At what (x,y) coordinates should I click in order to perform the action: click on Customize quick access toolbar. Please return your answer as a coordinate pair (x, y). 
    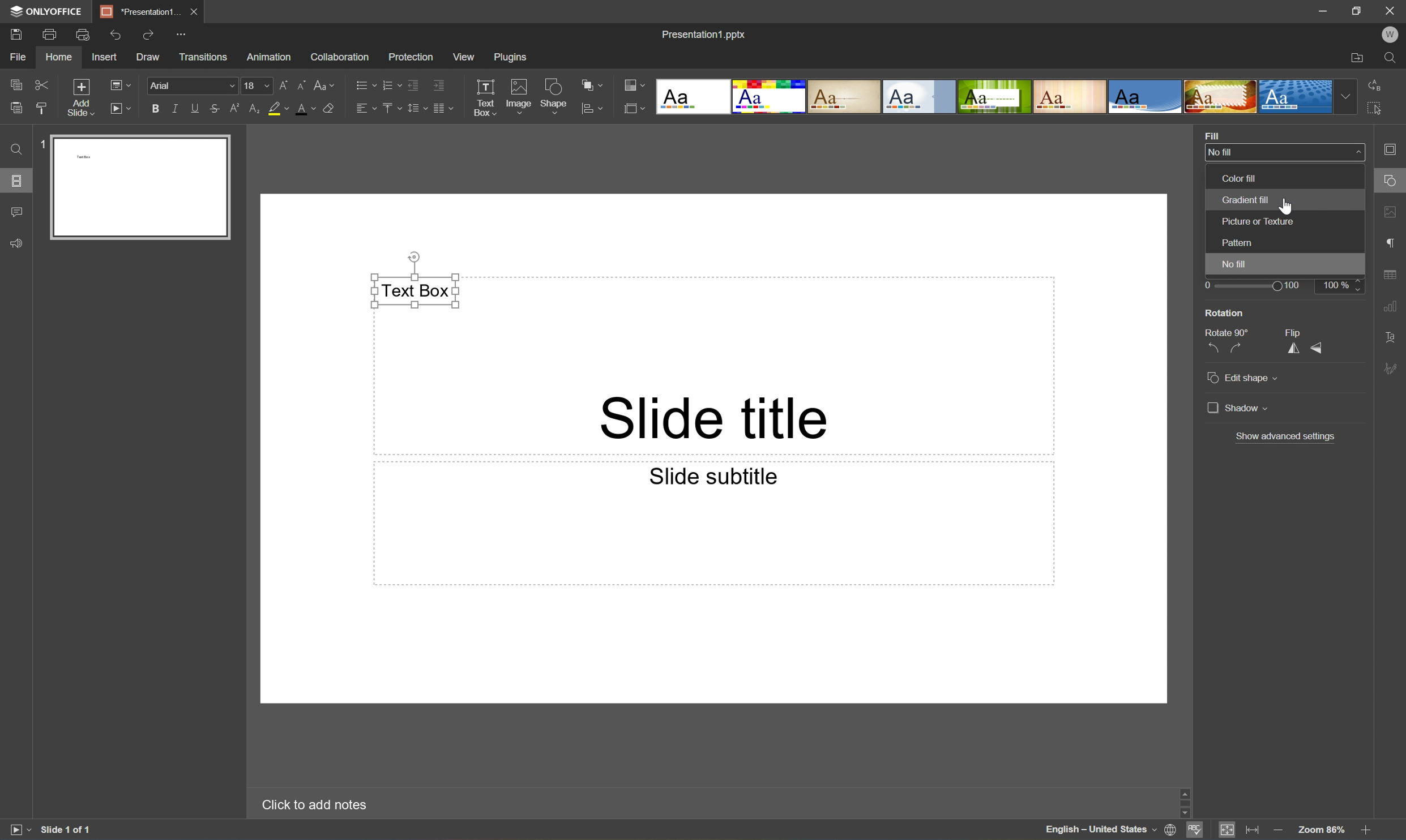
    Looking at the image, I should click on (182, 33).